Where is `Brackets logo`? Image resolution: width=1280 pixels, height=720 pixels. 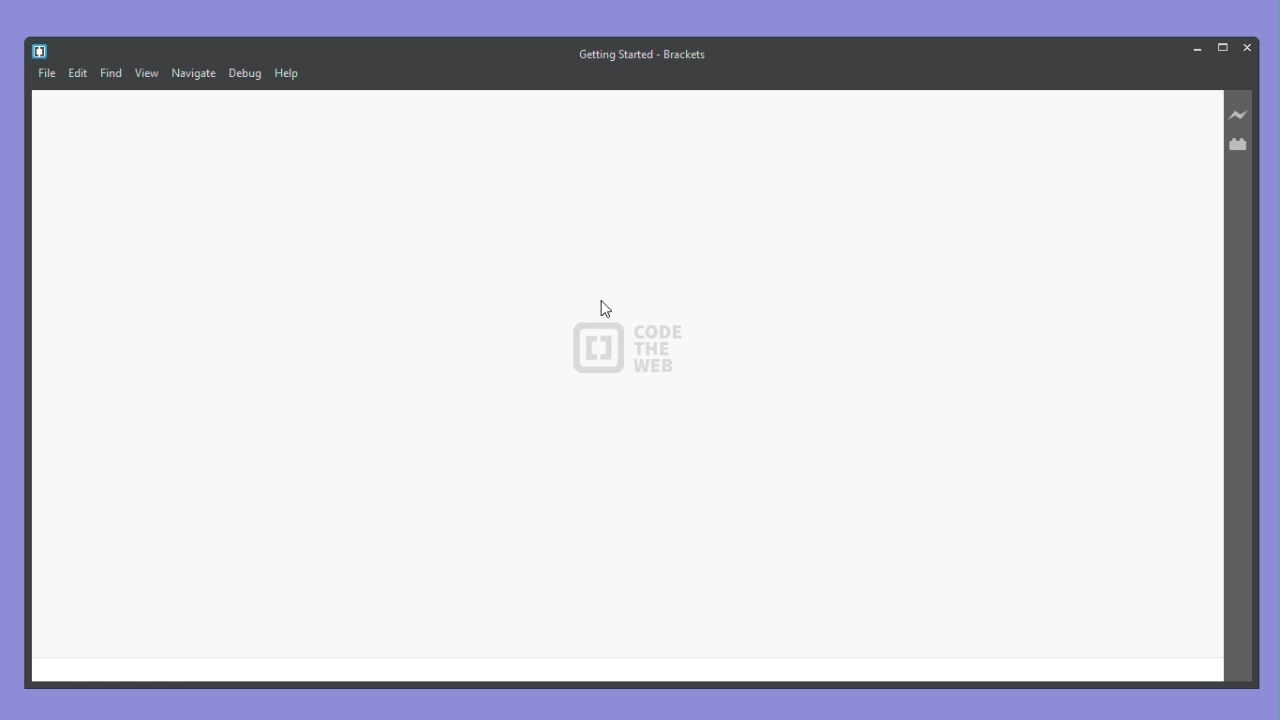
Brackets logo is located at coordinates (39, 49).